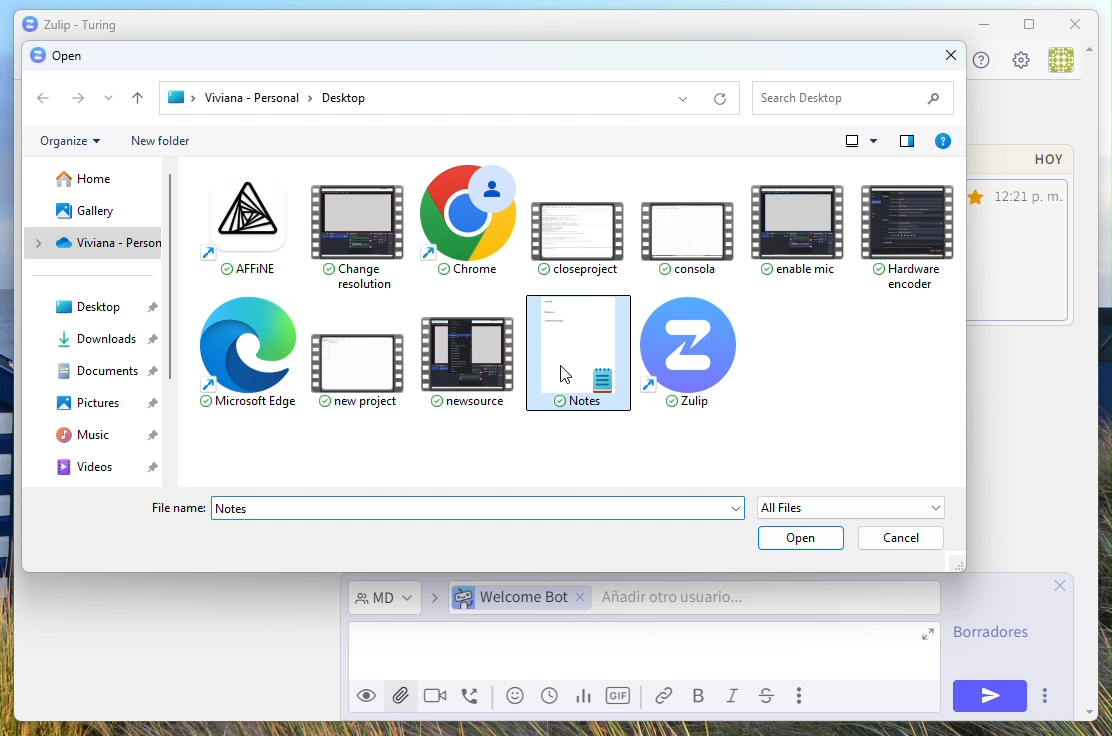 This screenshot has height=736, width=1112. What do you see at coordinates (580, 354) in the screenshot?
I see `notes` at bounding box center [580, 354].